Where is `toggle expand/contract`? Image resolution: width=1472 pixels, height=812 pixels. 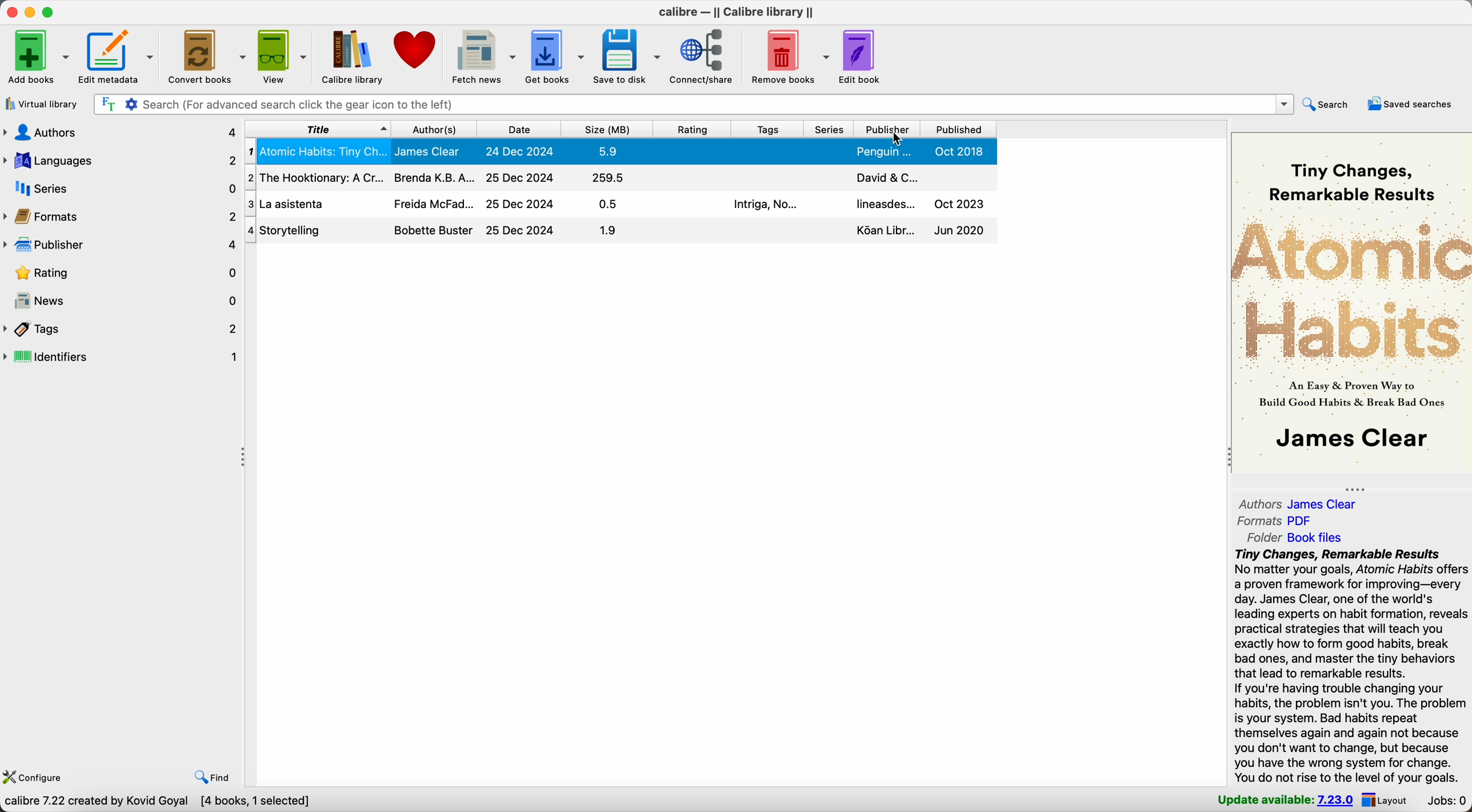
toggle expand/contract is located at coordinates (1354, 489).